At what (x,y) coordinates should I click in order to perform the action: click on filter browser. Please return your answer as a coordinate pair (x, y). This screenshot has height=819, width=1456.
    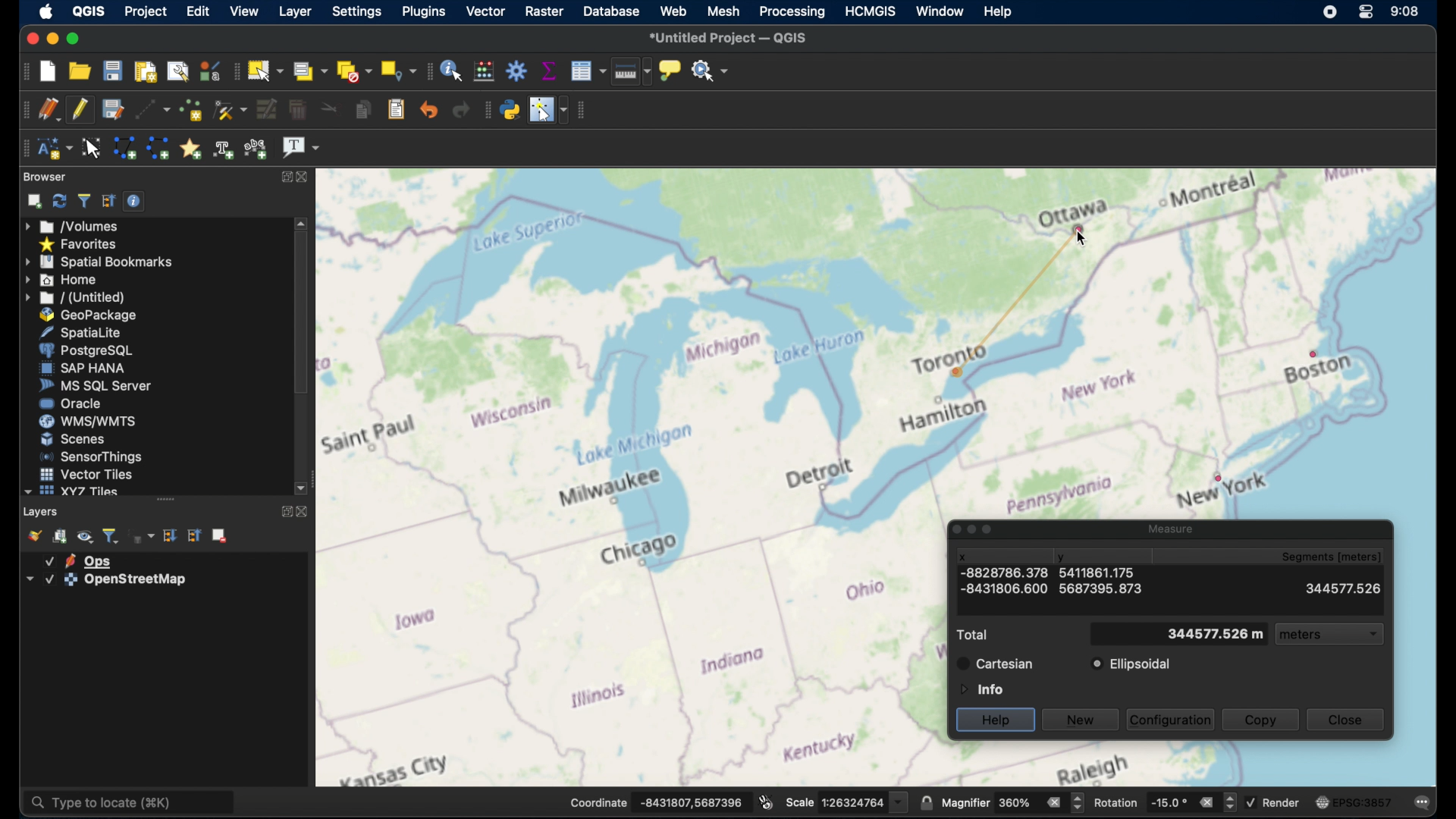
    Looking at the image, I should click on (83, 200).